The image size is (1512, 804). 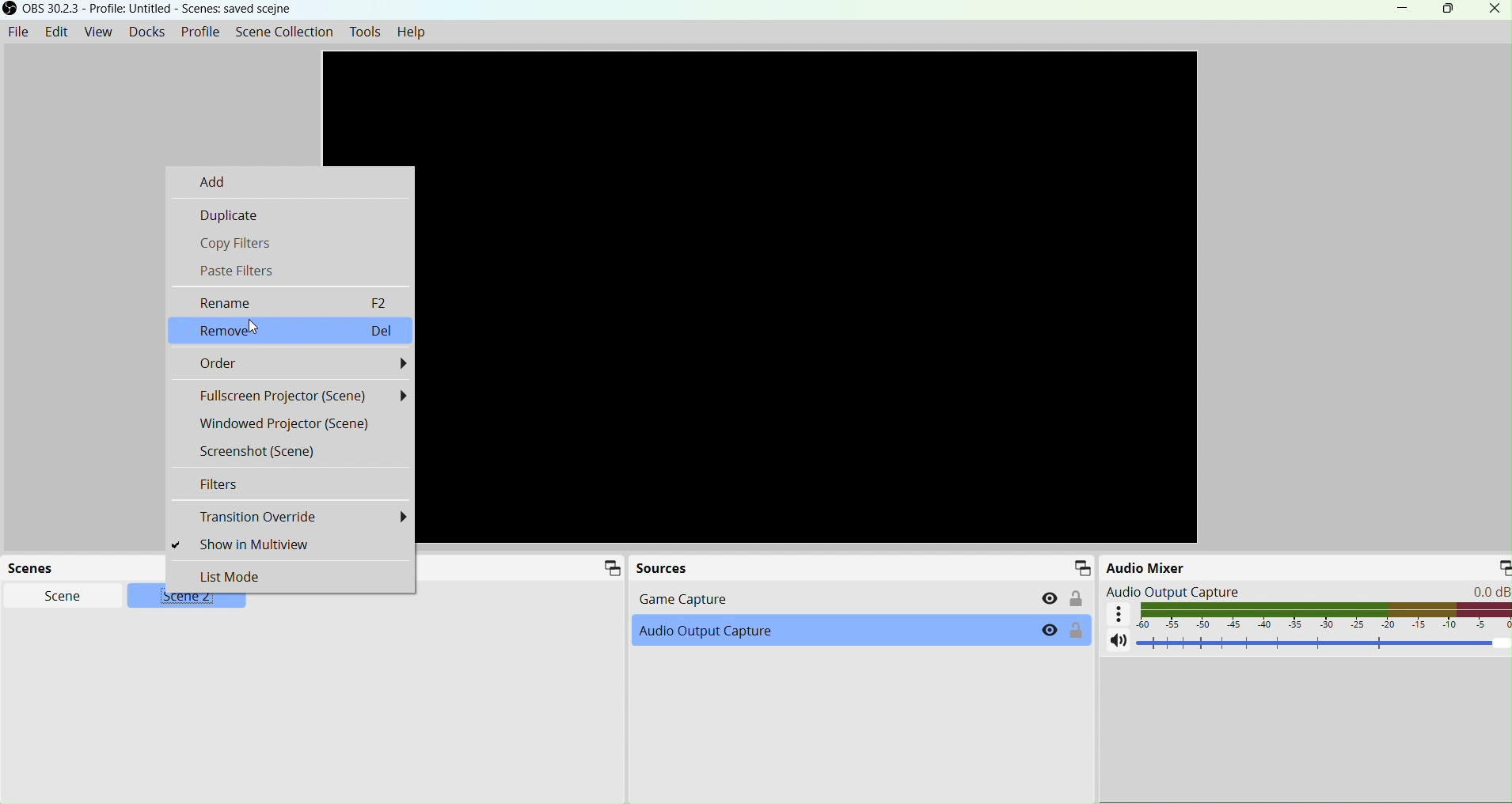 What do you see at coordinates (609, 571) in the screenshot?
I see `Minimize` at bounding box center [609, 571].